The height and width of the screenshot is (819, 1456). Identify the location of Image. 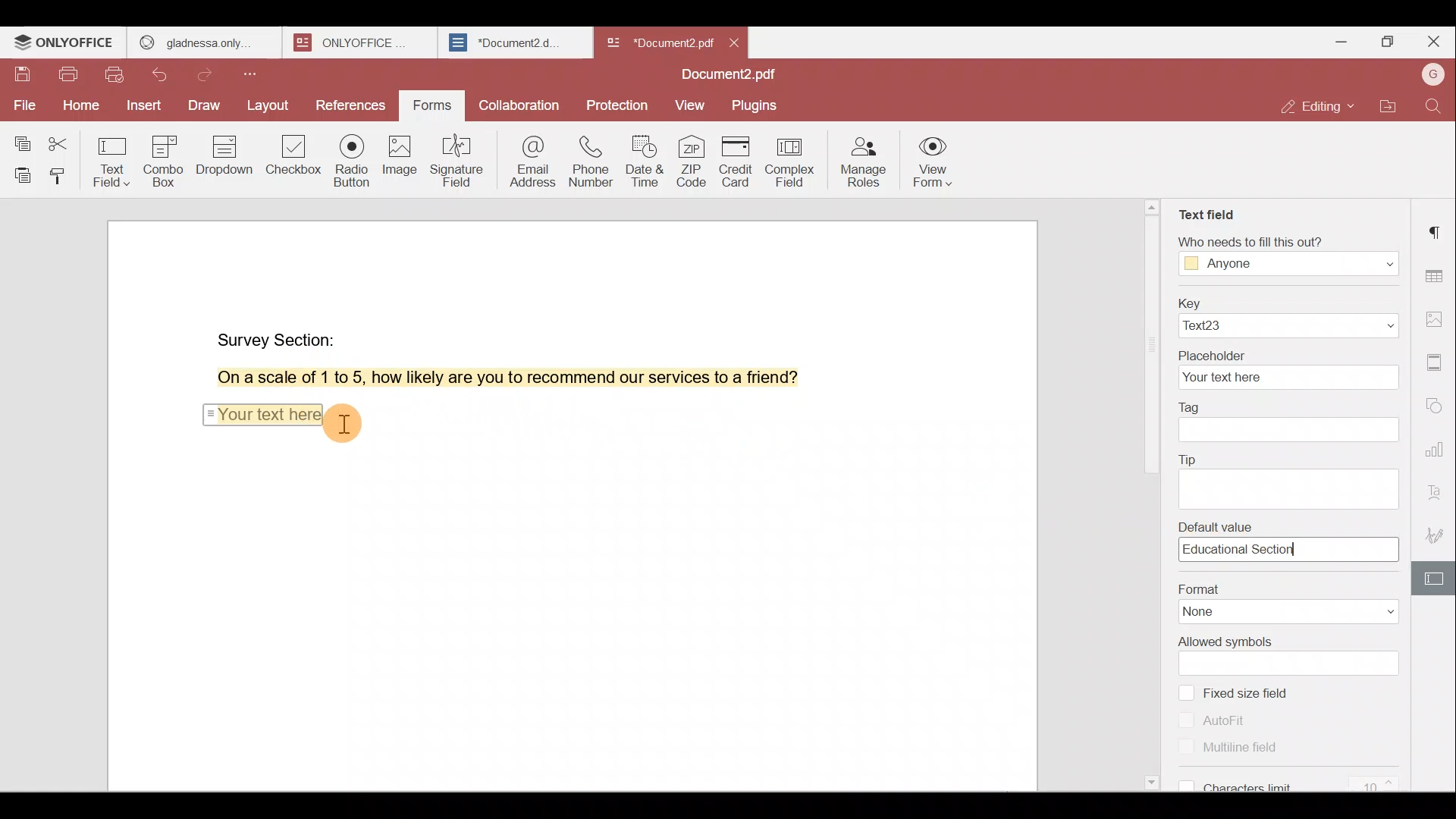
(398, 159).